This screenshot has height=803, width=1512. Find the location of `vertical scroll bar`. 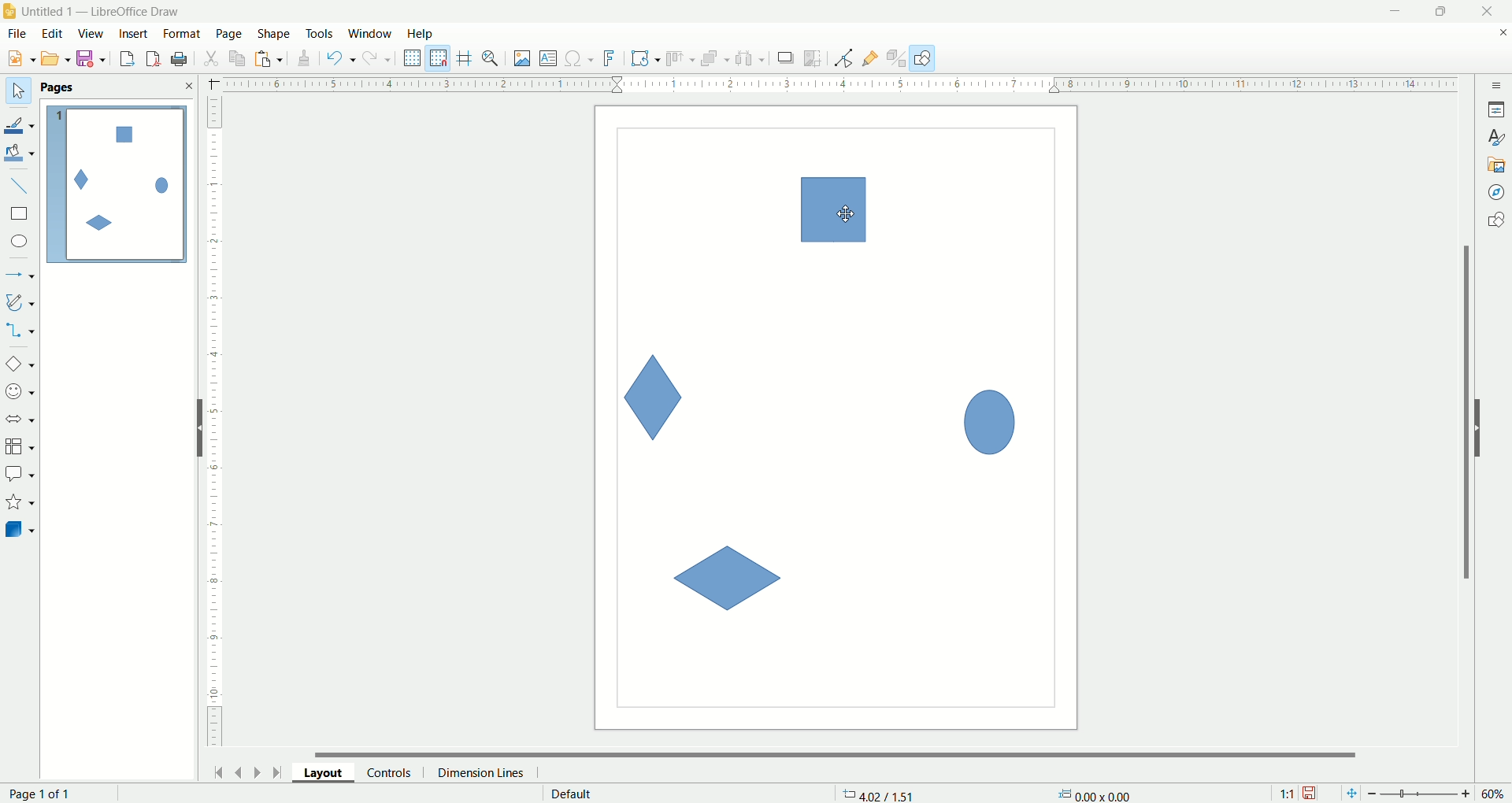

vertical scroll bar is located at coordinates (1463, 412).